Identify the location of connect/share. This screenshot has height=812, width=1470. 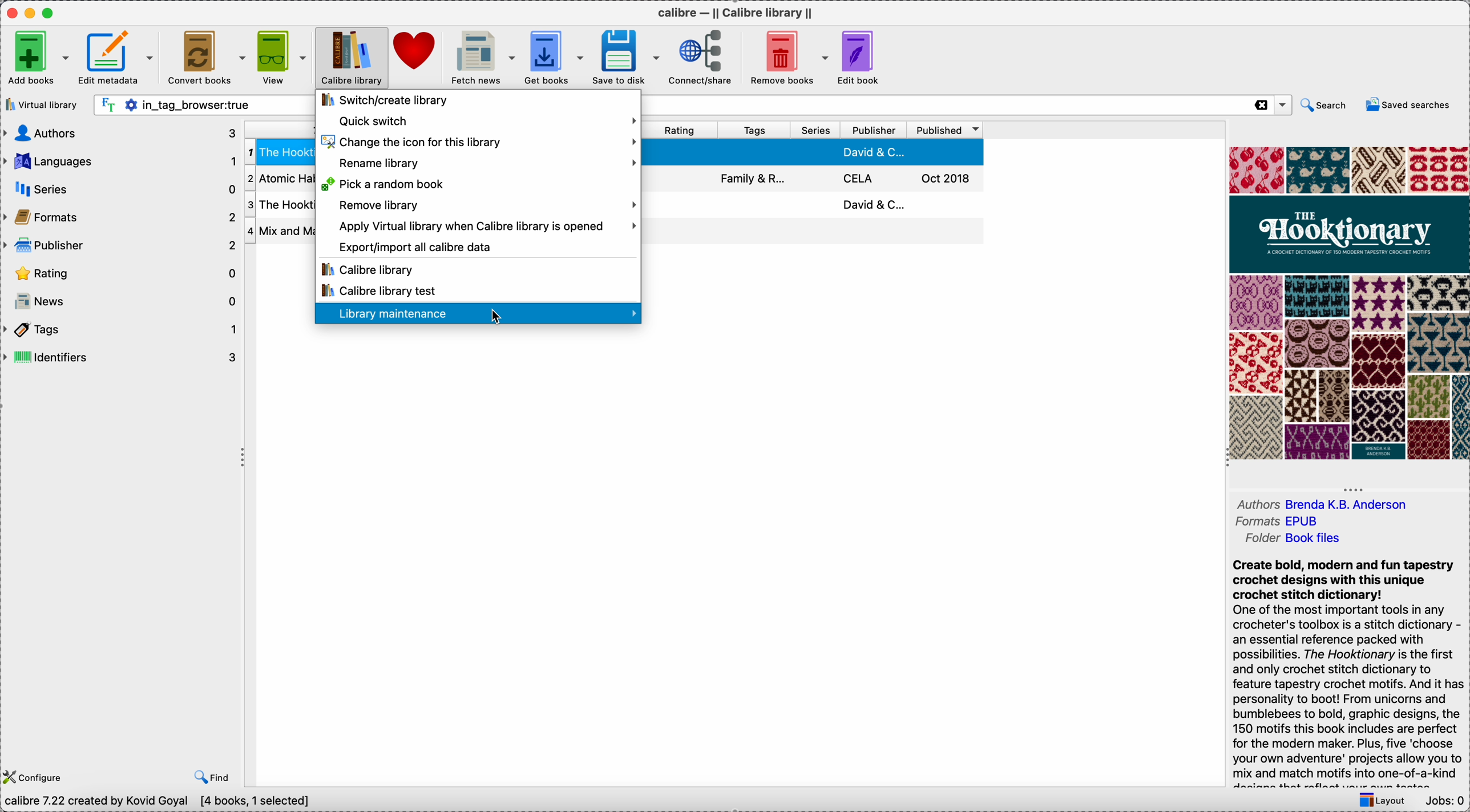
(701, 58).